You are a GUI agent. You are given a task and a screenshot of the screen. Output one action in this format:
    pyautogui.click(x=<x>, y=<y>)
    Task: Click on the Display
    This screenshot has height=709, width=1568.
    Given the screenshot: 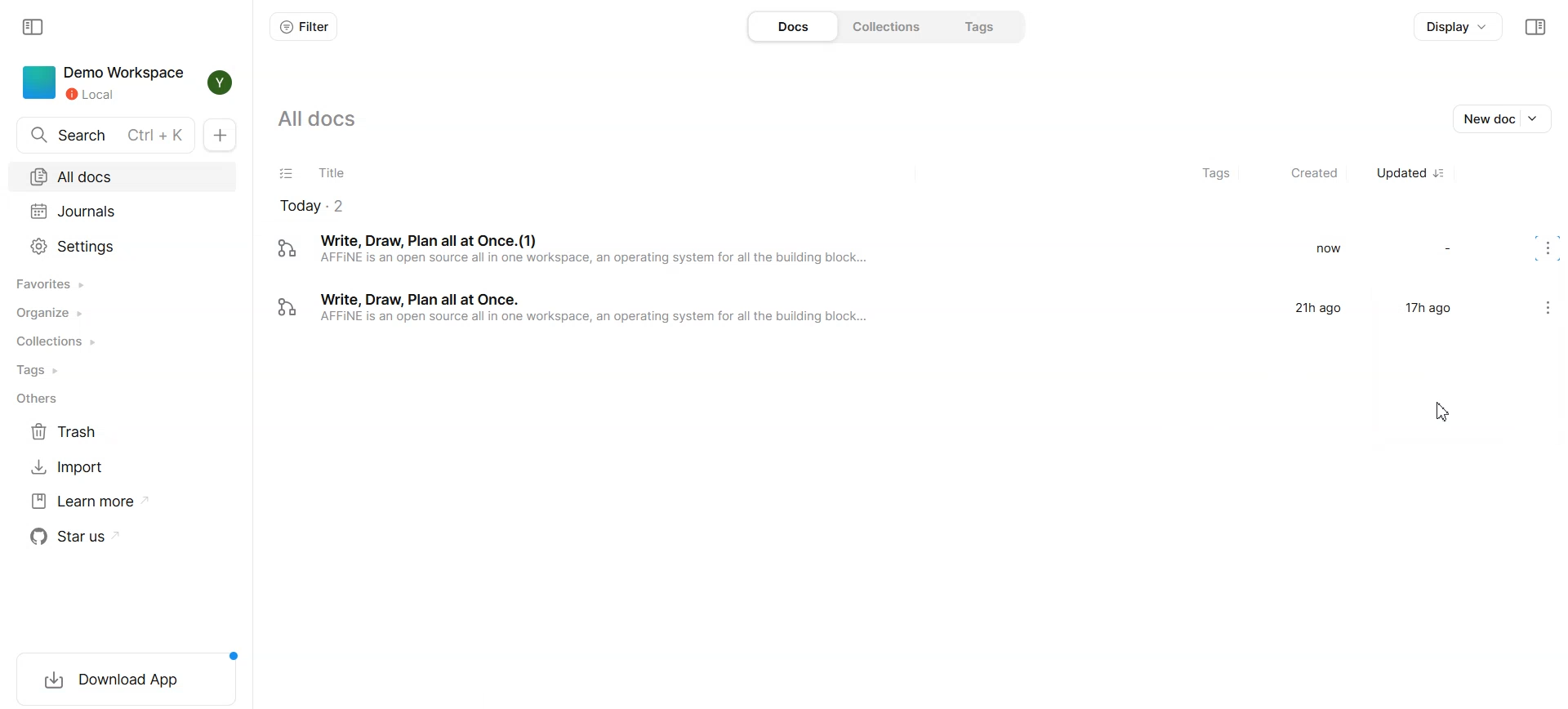 What is the action you would take?
    pyautogui.click(x=1459, y=27)
    